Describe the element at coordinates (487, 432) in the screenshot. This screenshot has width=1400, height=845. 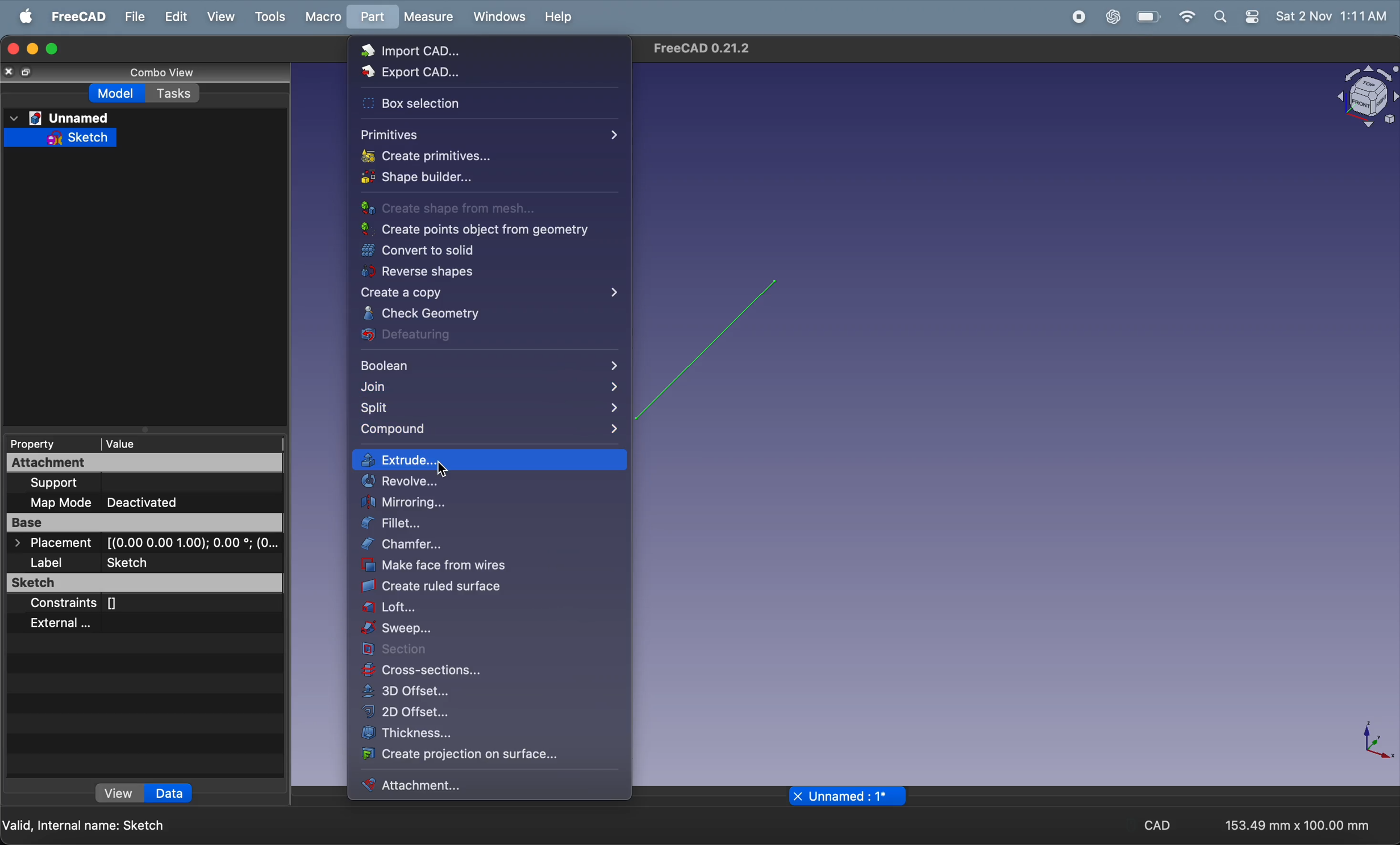
I see `compound` at that location.